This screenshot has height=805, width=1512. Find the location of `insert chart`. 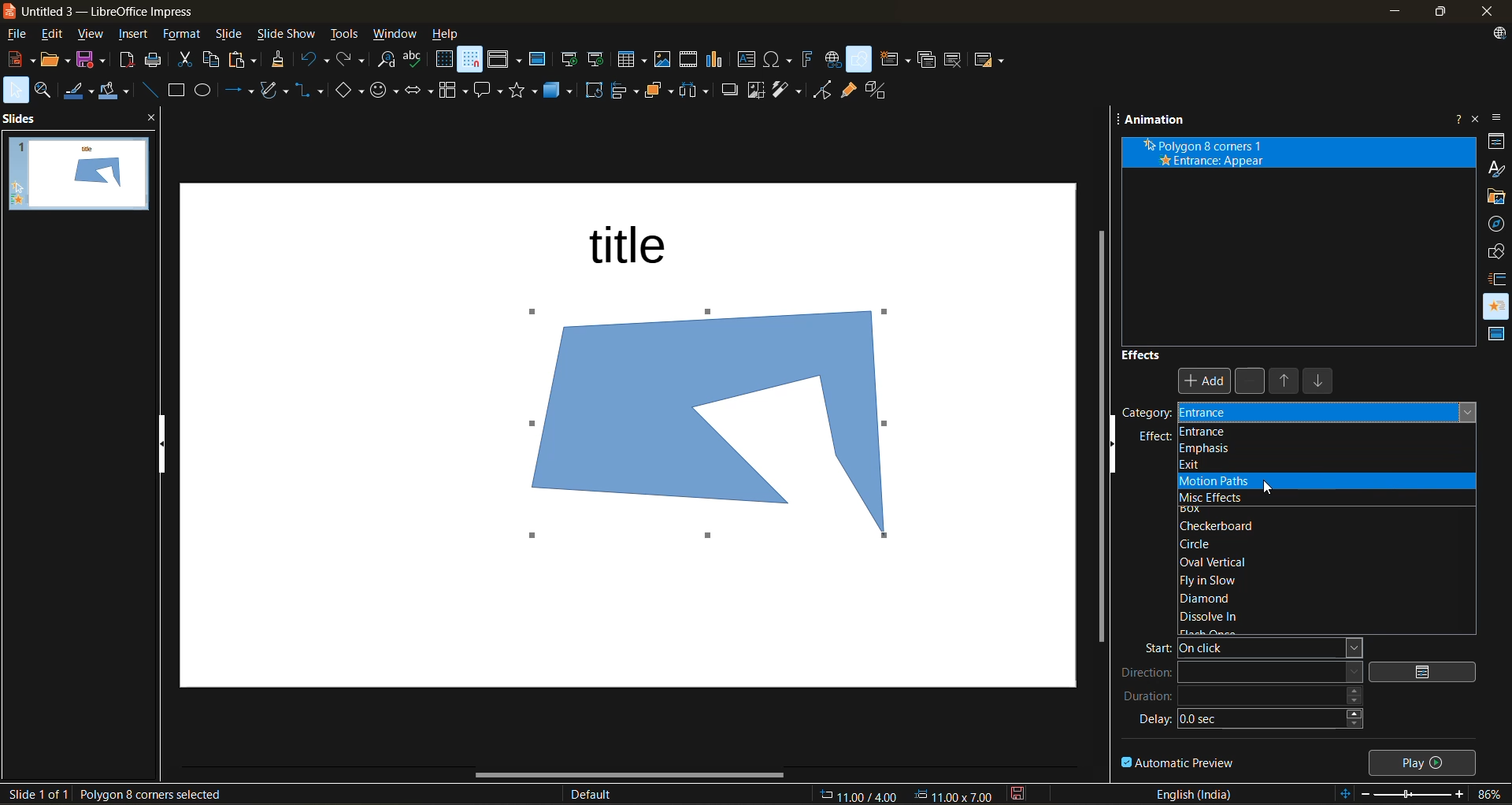

insert chart is located at coordinates (714, 60).